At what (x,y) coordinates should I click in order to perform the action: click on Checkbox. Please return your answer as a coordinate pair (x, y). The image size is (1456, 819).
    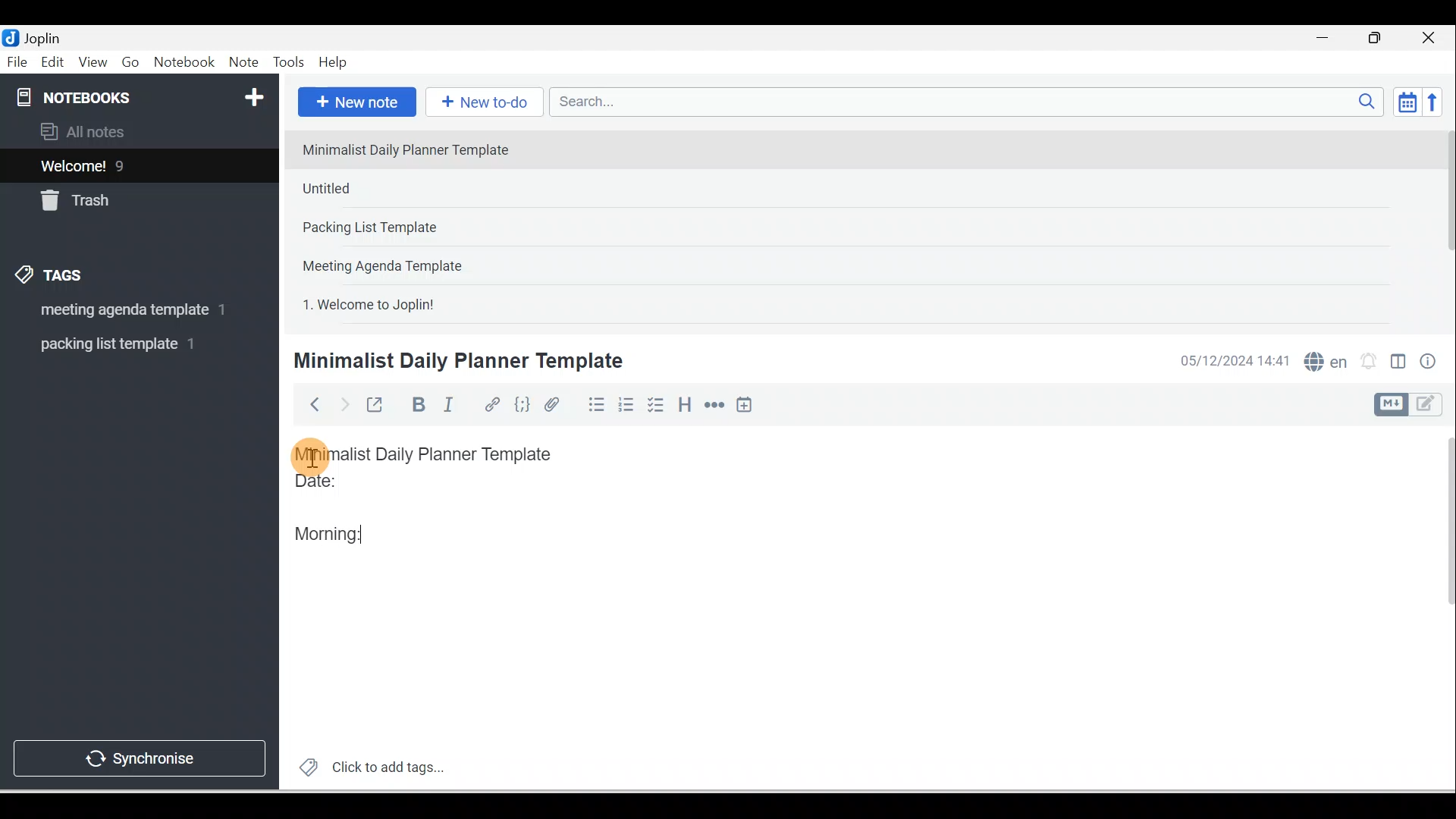
    Looking at the image, I should click on (654, 405).